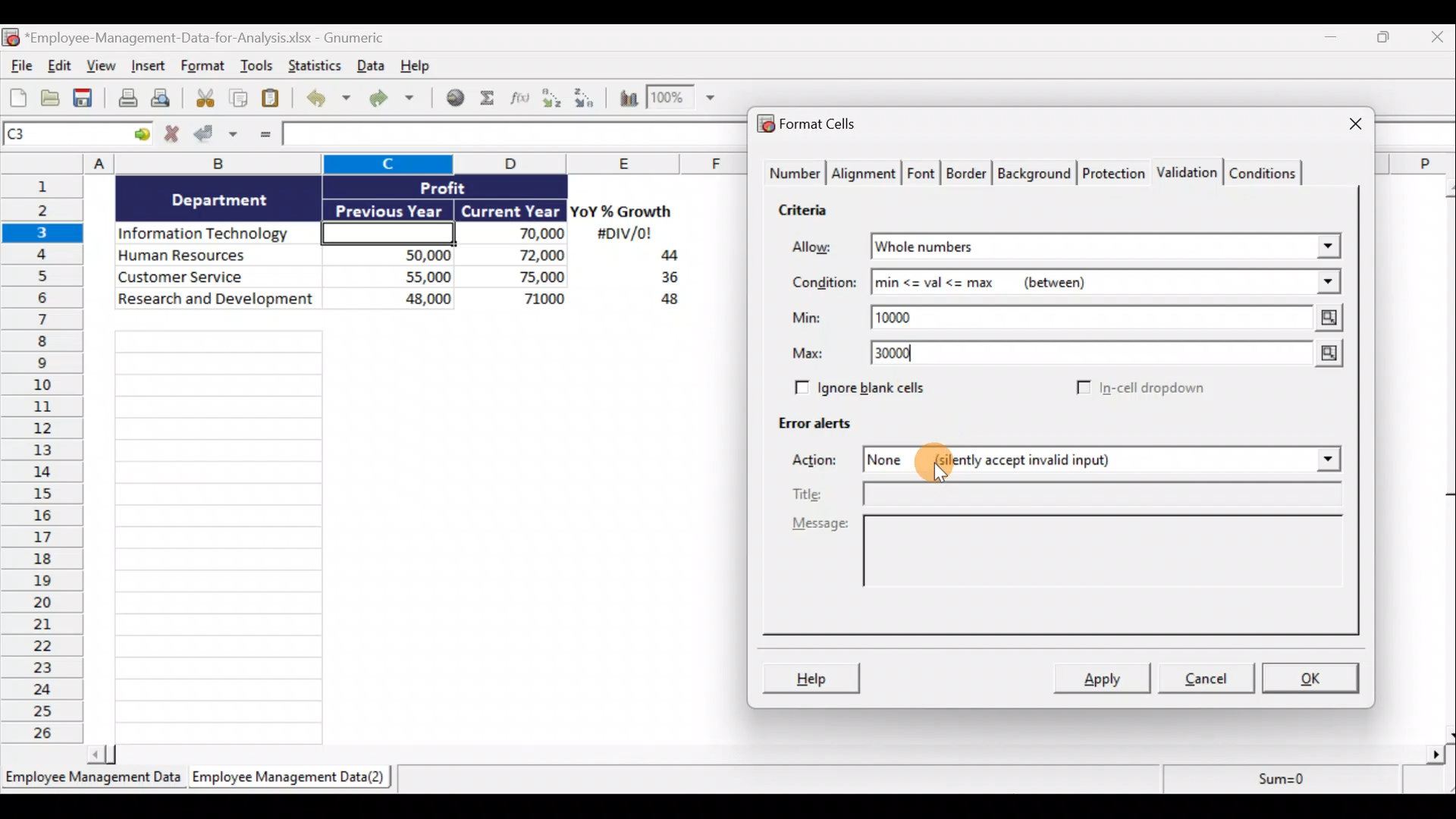  I want to click on Whole numbers, so click(1018, 247).